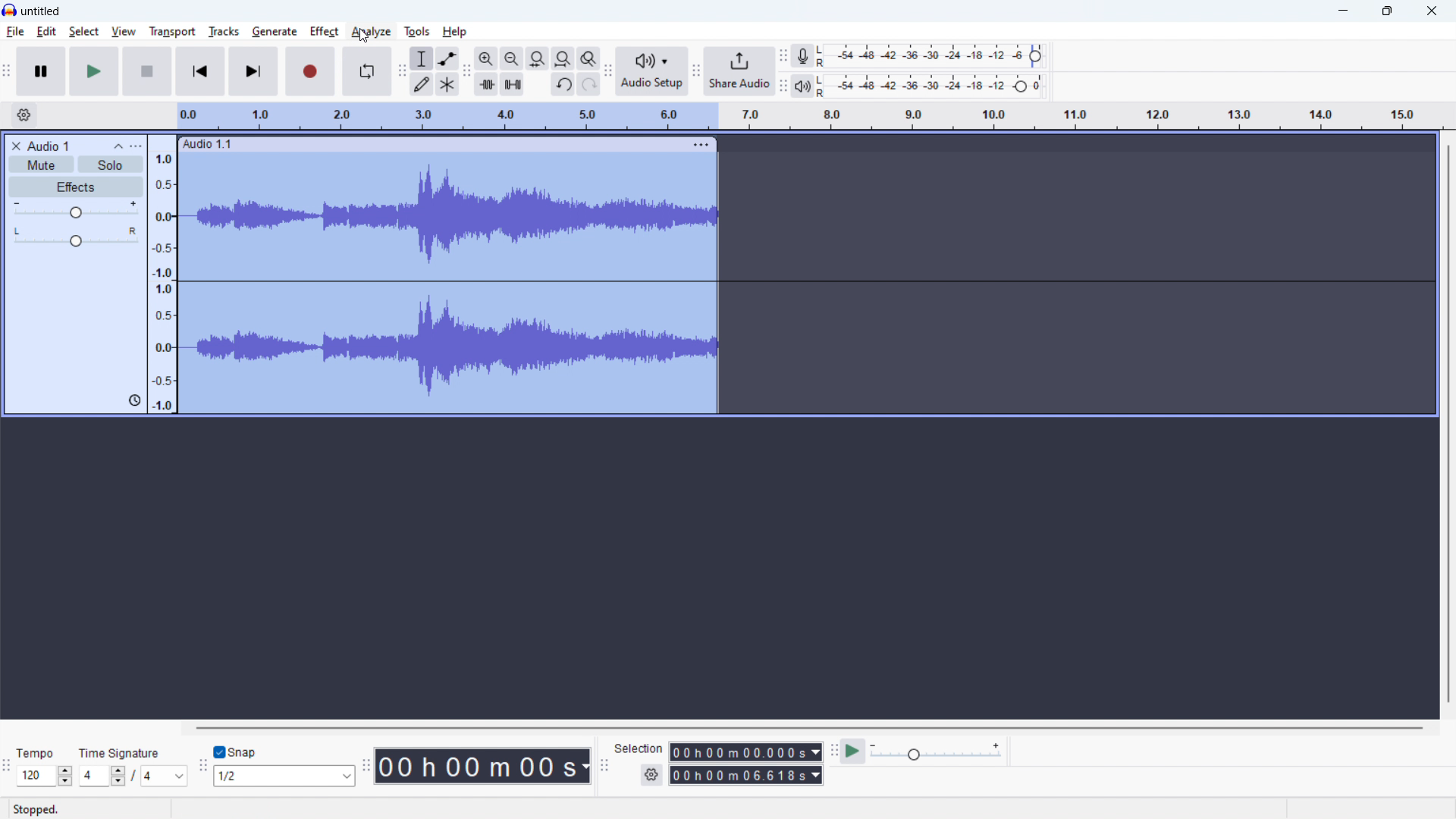 This screenshot has height=819, width=1456. What do you see at coordinates (401, 71) in the screenshot?
I see `tools toolbar` at bounding box center [401, 71].